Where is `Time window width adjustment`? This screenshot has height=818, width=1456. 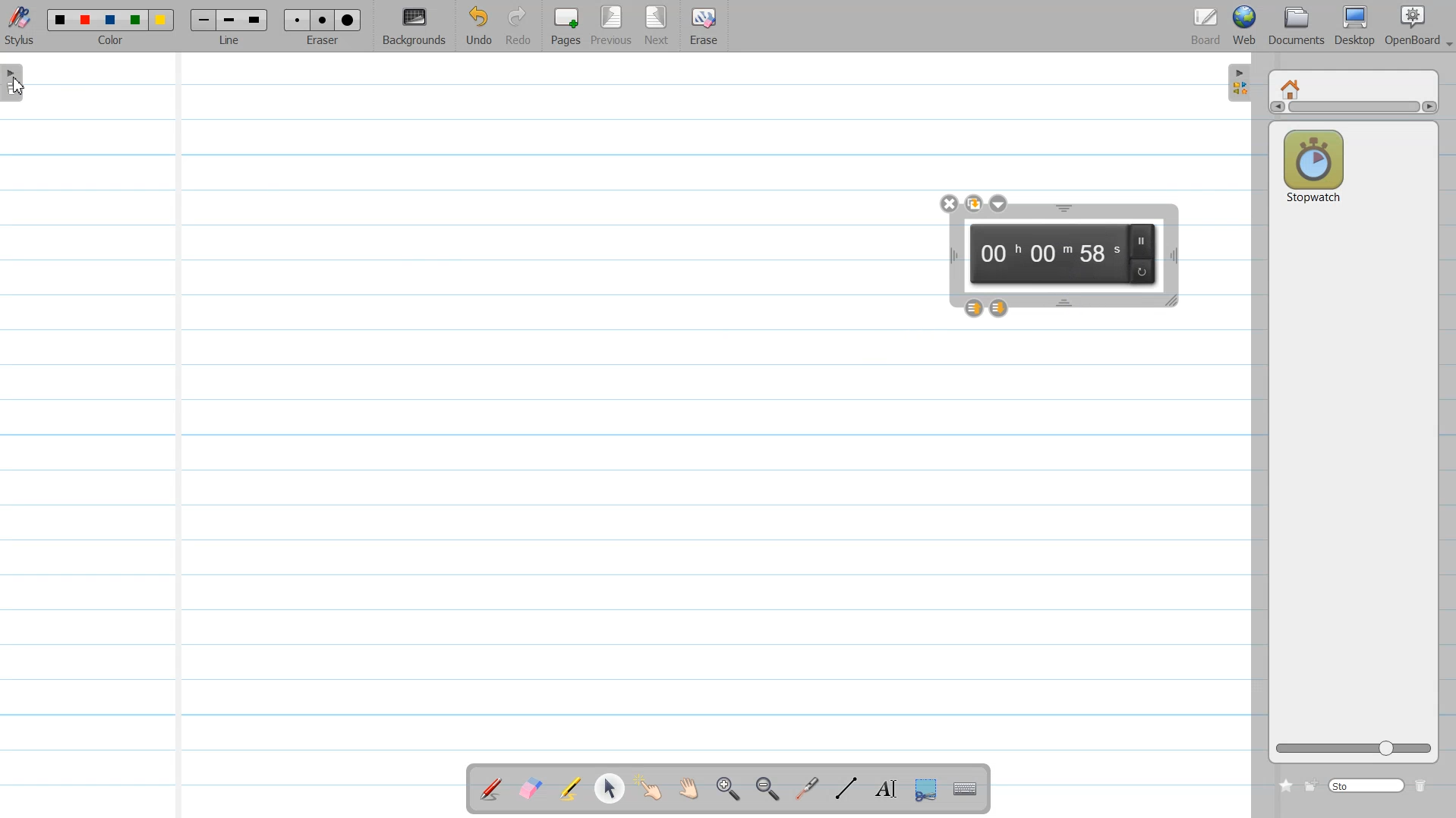
Time window width adjustment is located at coordinates (949, 256).